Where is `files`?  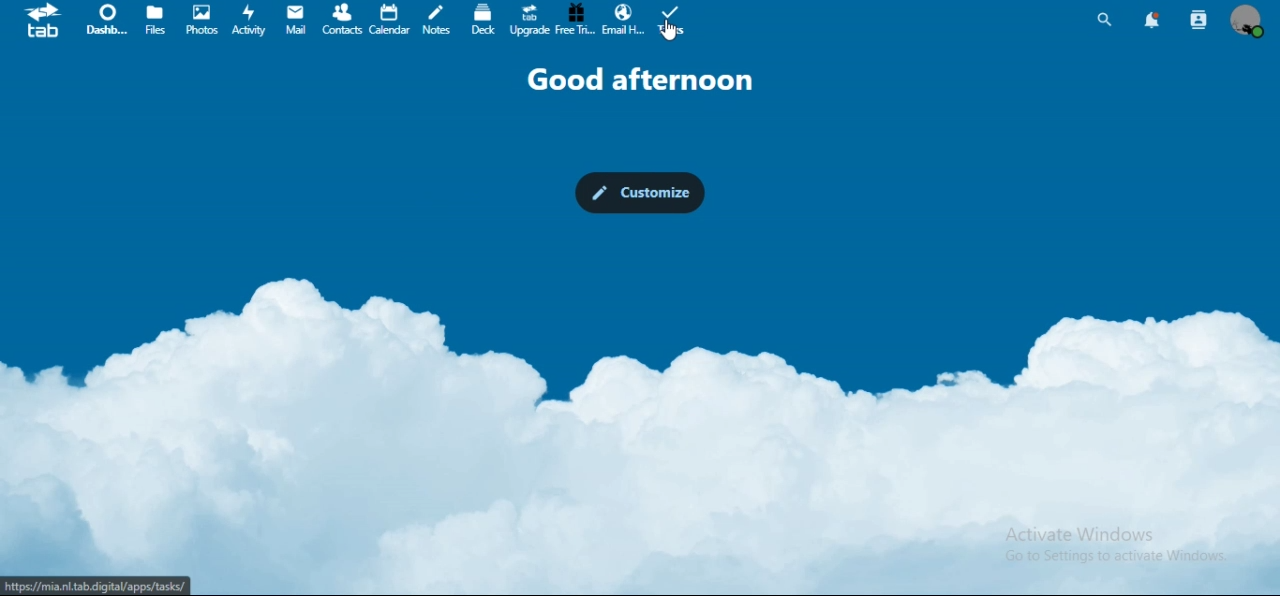
files is located at coordinates (156, 21).